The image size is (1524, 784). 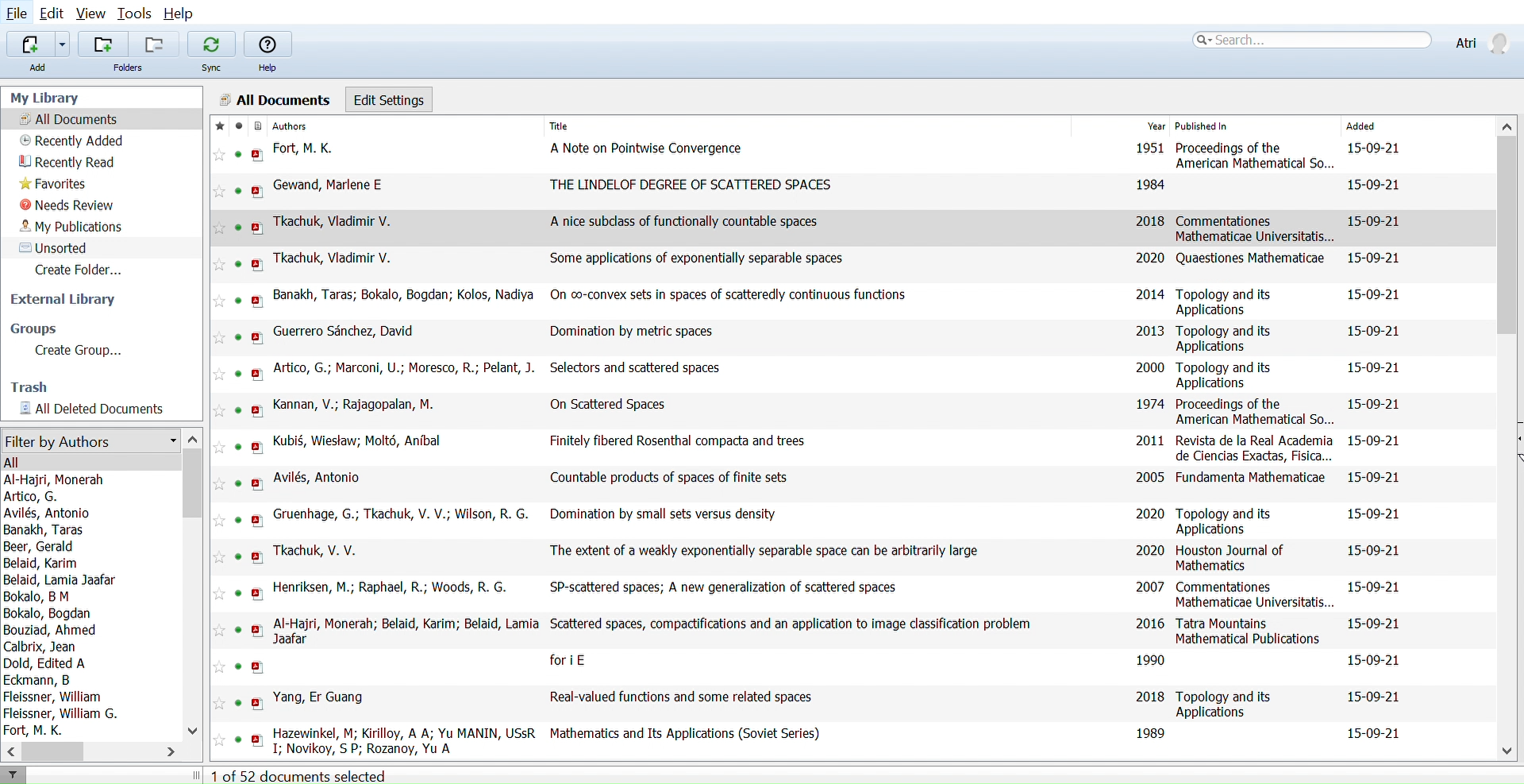 What do you see at coordinates (220, 741) in the screenshot?
I see `Add this reference to favorites` at bounding box center [220, 741].